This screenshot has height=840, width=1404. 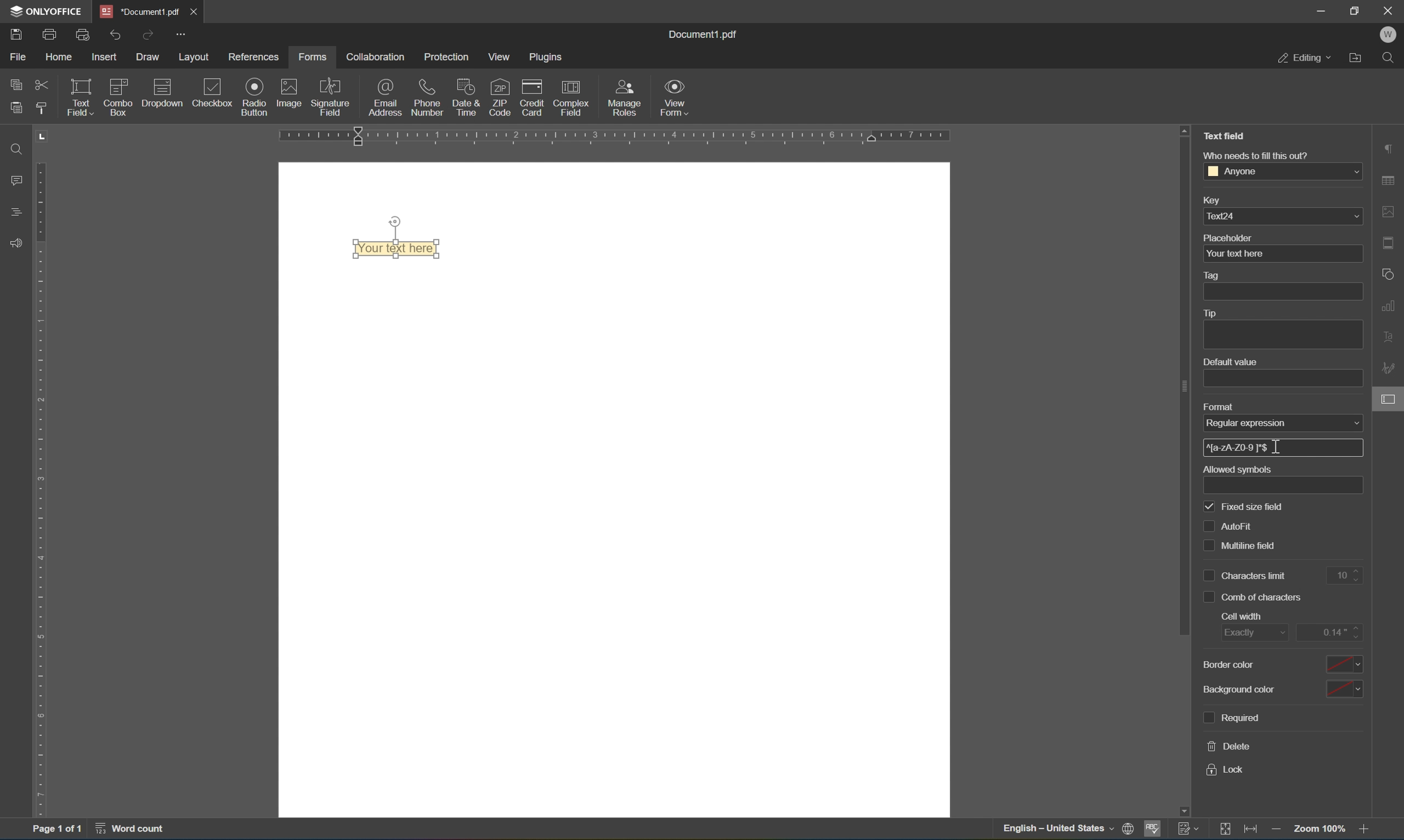 I want to click on signature field, so click(x=331, y=97).